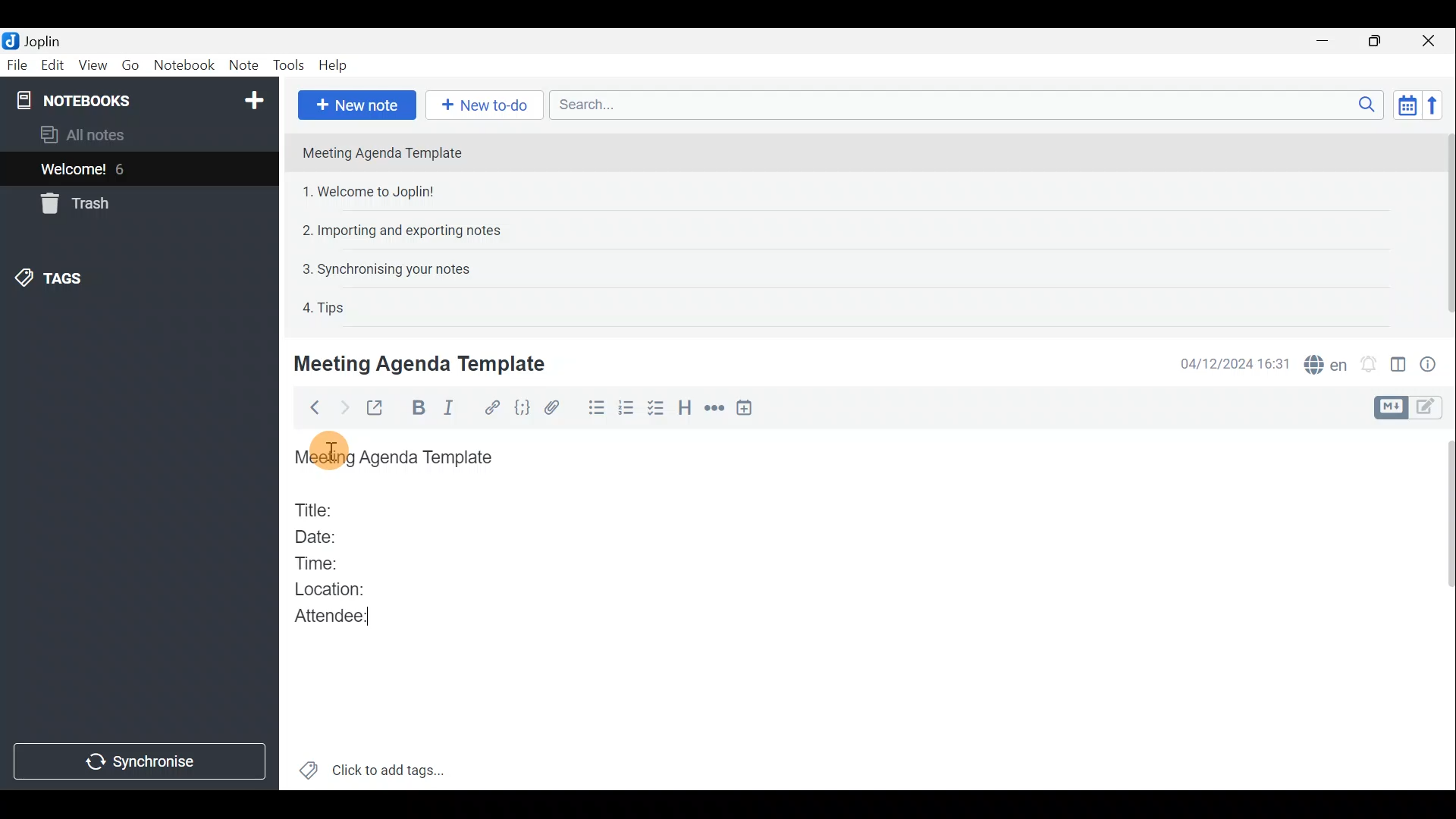 This screenshot has width=1456, height=819. I want to click on Meeting Agenda Template, so click(398, 458).